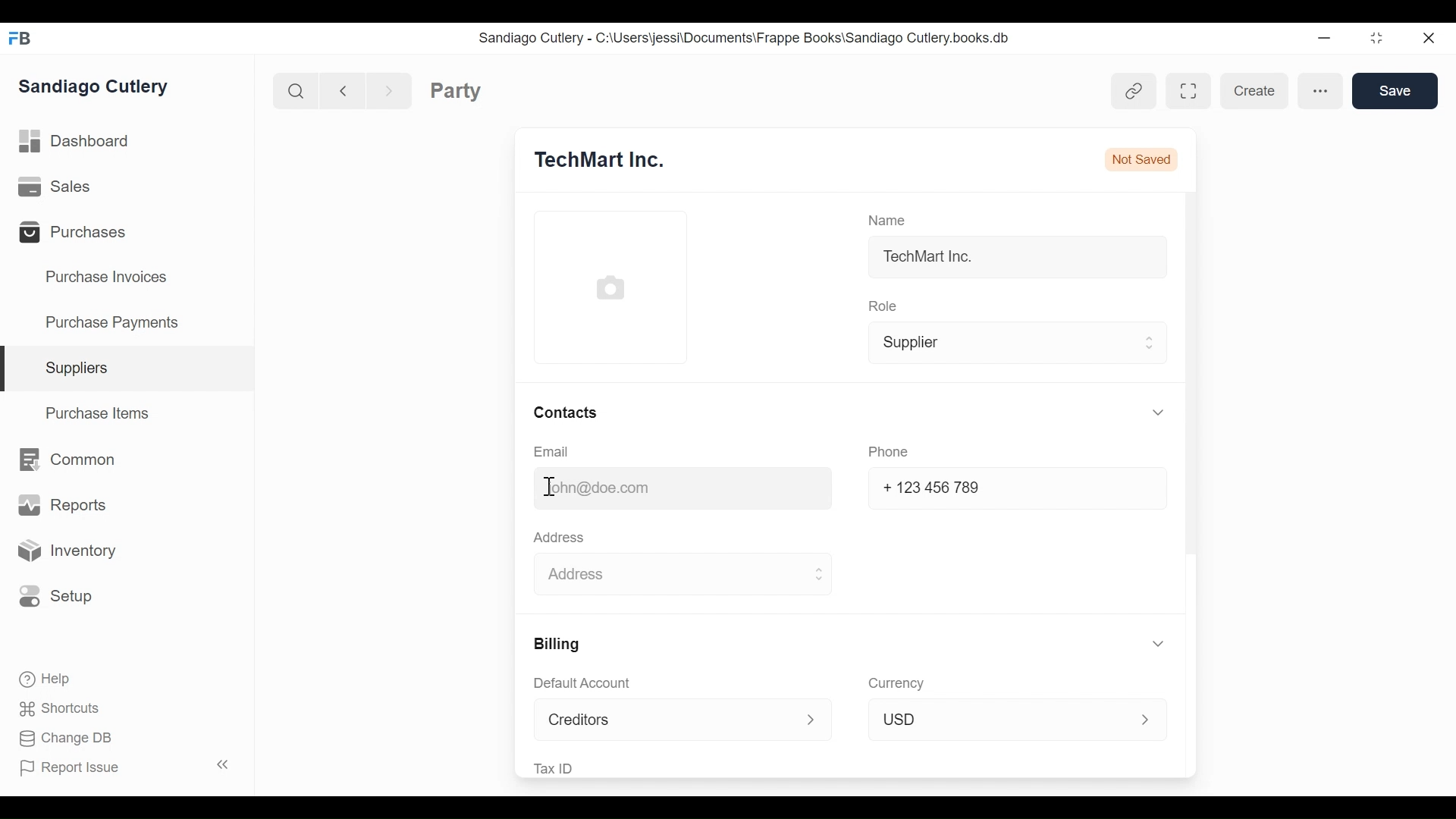  What do you see at coordinates (1147, 641) in the screenshot?
I see `expand` at bounding box center [1147, 641].